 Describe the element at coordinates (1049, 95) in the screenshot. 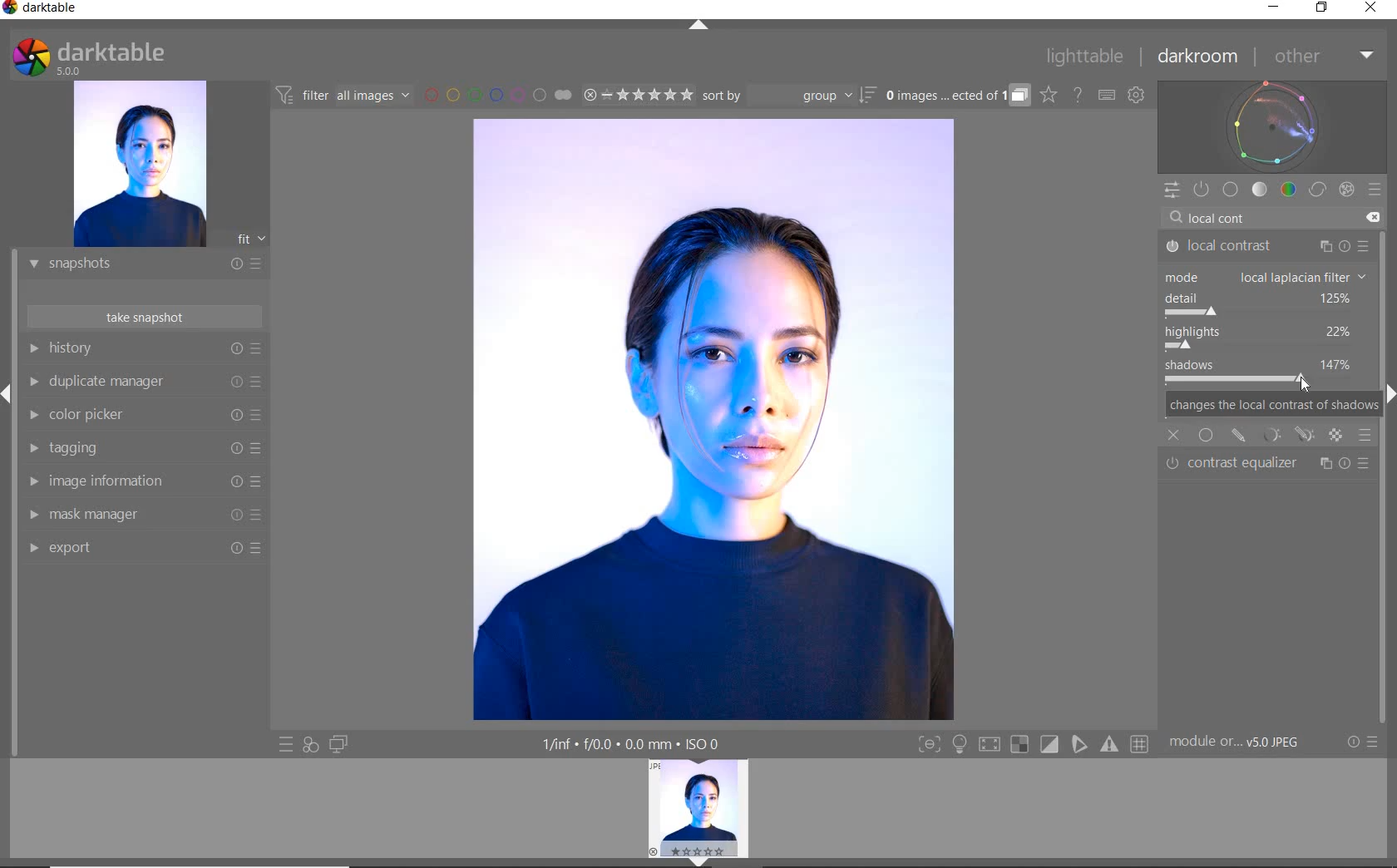

I see `CLICK TO CHANGE THE OVERLAYS SHOWN ON THUMBNAILS` at that location.